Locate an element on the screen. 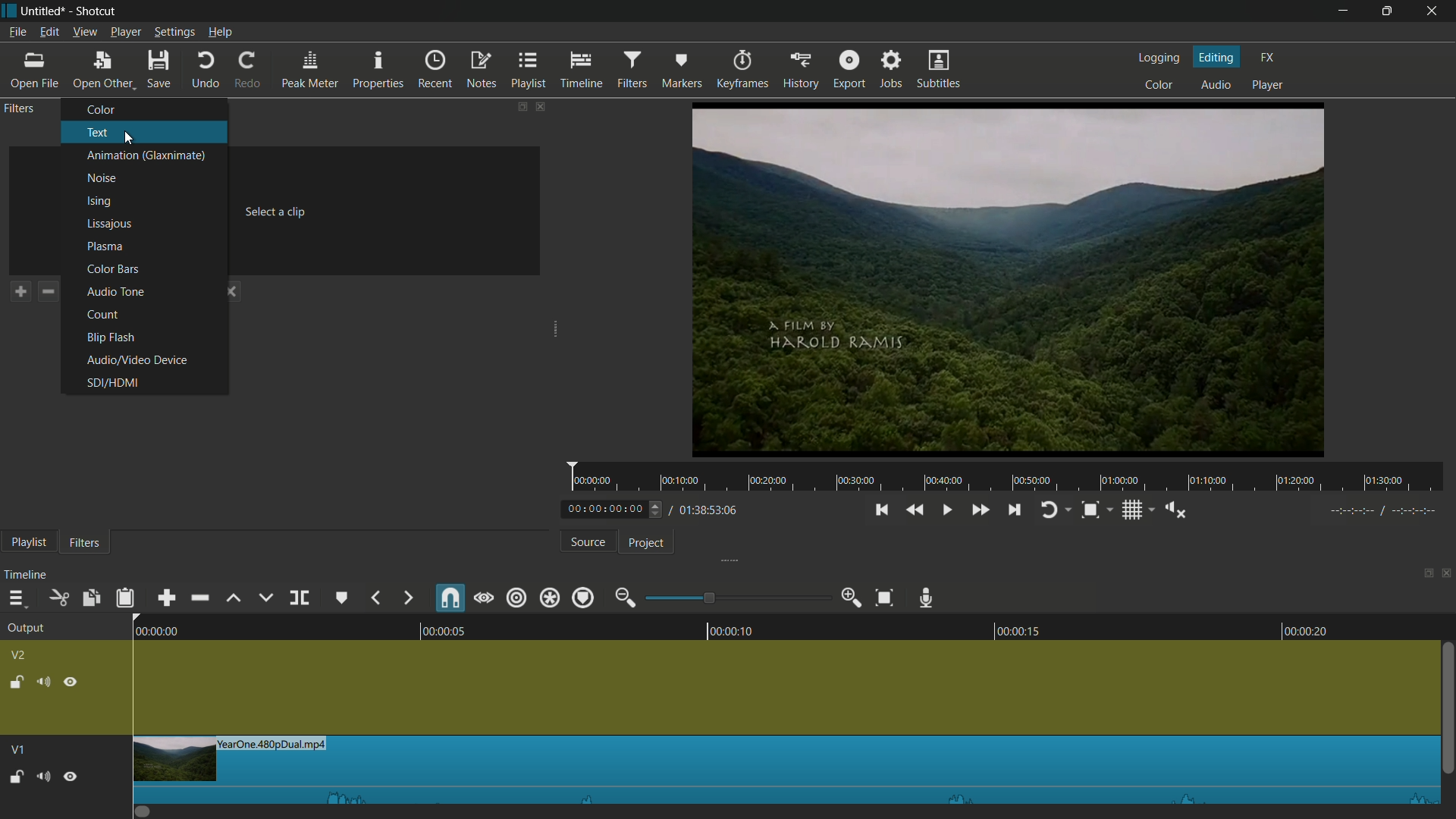  timeline is located at coordinates (581, 71).